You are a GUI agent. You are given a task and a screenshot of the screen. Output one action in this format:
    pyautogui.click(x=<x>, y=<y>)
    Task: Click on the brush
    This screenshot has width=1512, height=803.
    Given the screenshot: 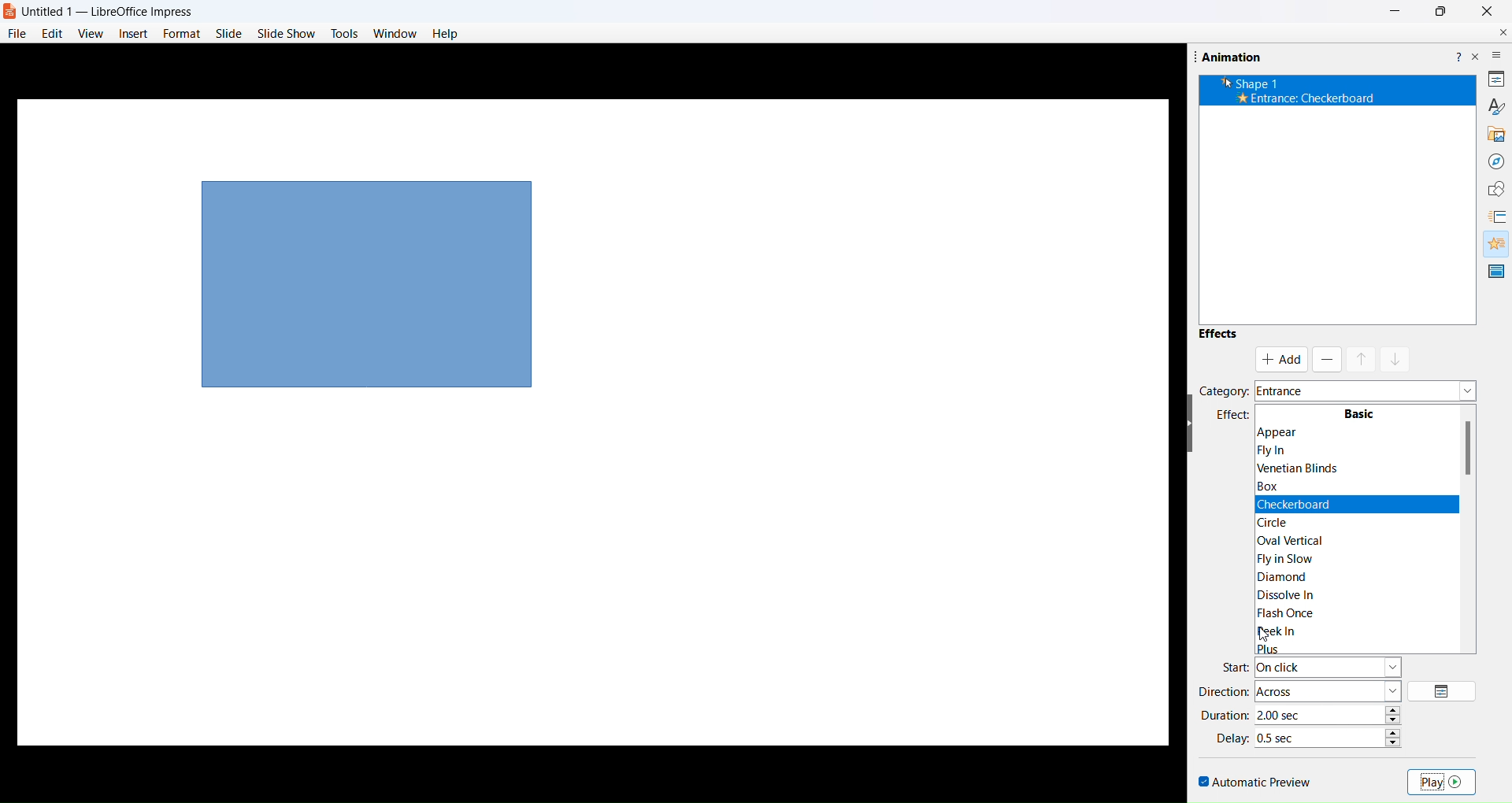 What is the action you would take?
    pyautogui.click(x=1488, y=108)
    